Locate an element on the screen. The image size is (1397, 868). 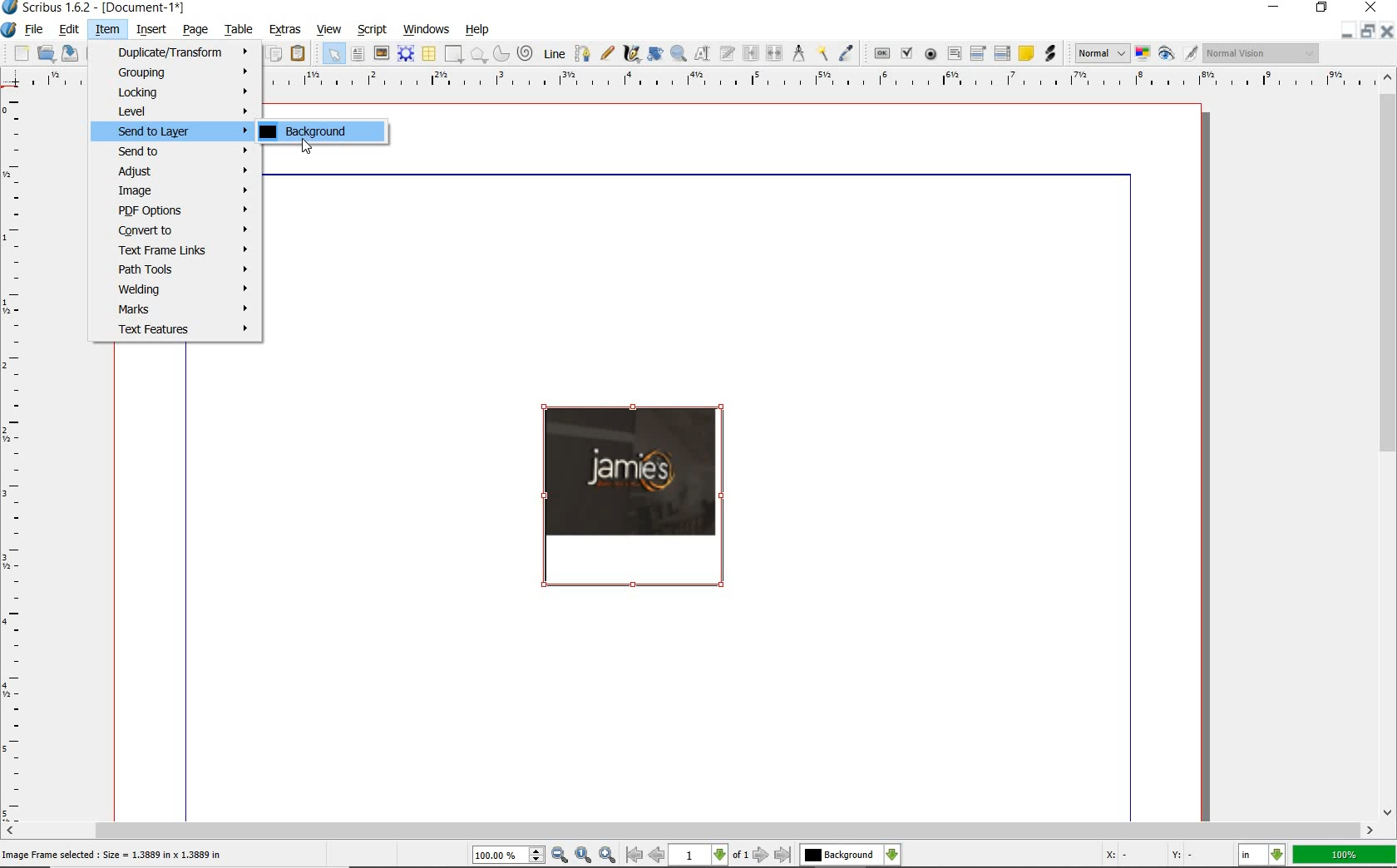
extras is located at coordinates (285, 29).